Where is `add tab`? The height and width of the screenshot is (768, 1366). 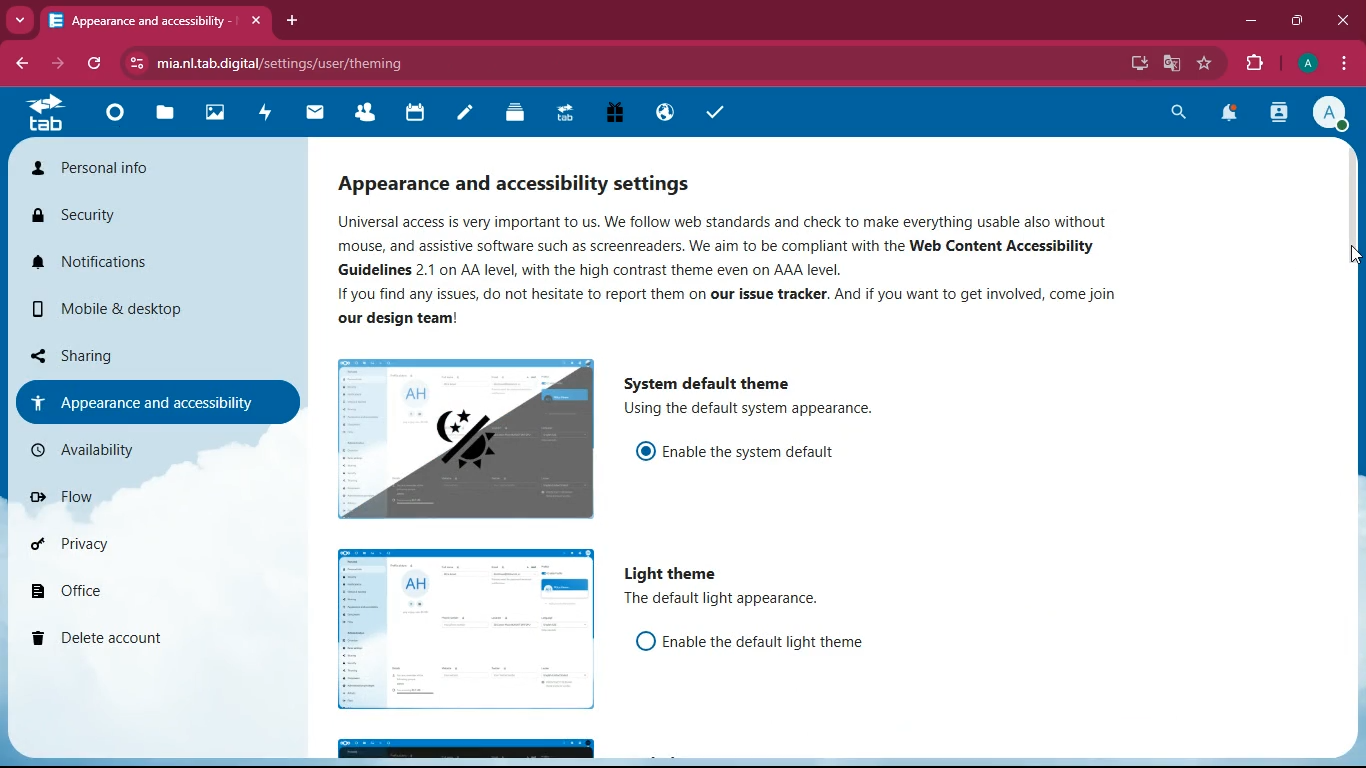
add tab is located at coordinates (292, 20).